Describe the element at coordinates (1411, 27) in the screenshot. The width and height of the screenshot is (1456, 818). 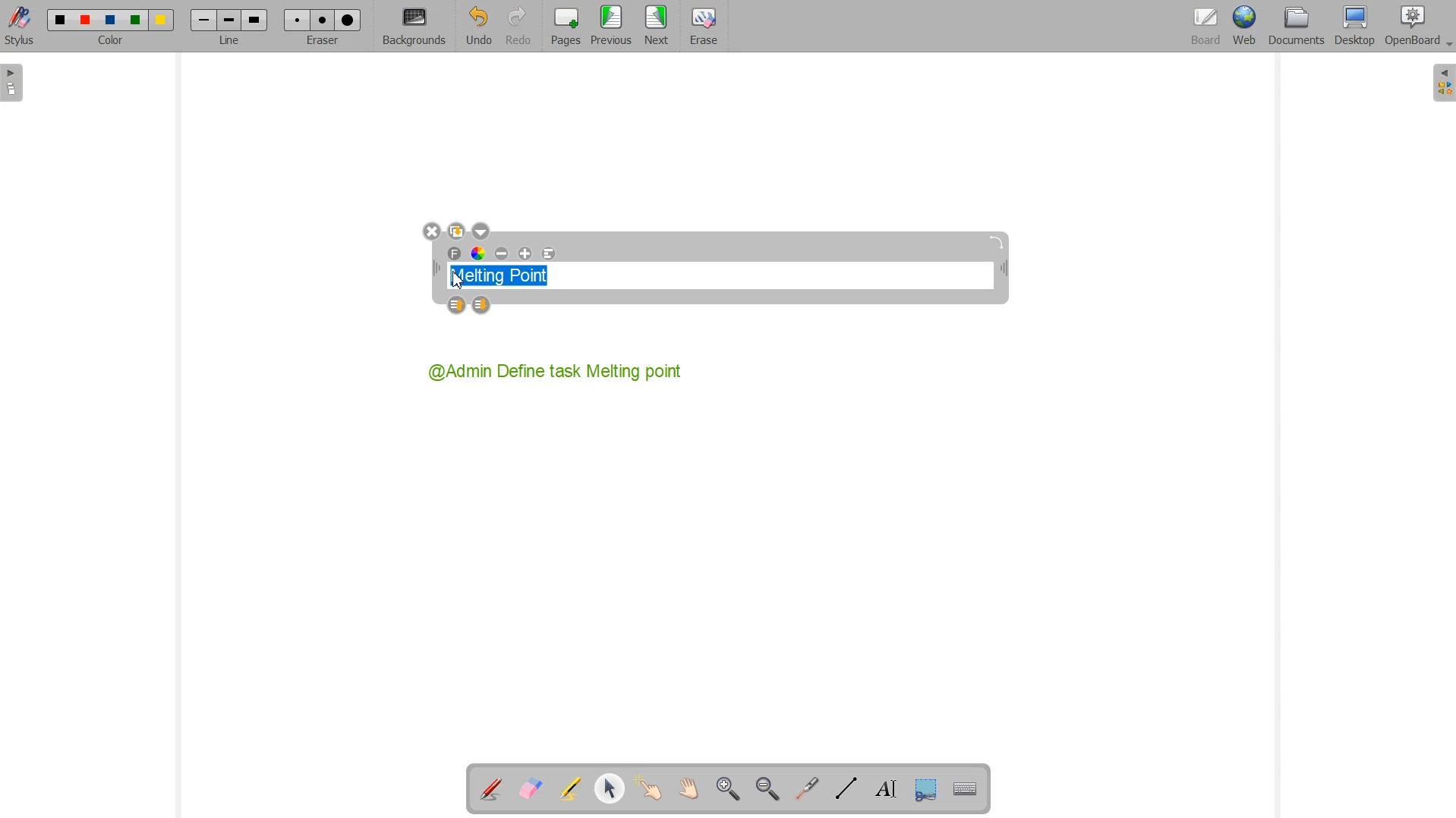
I see `OpenBoard` at that location.